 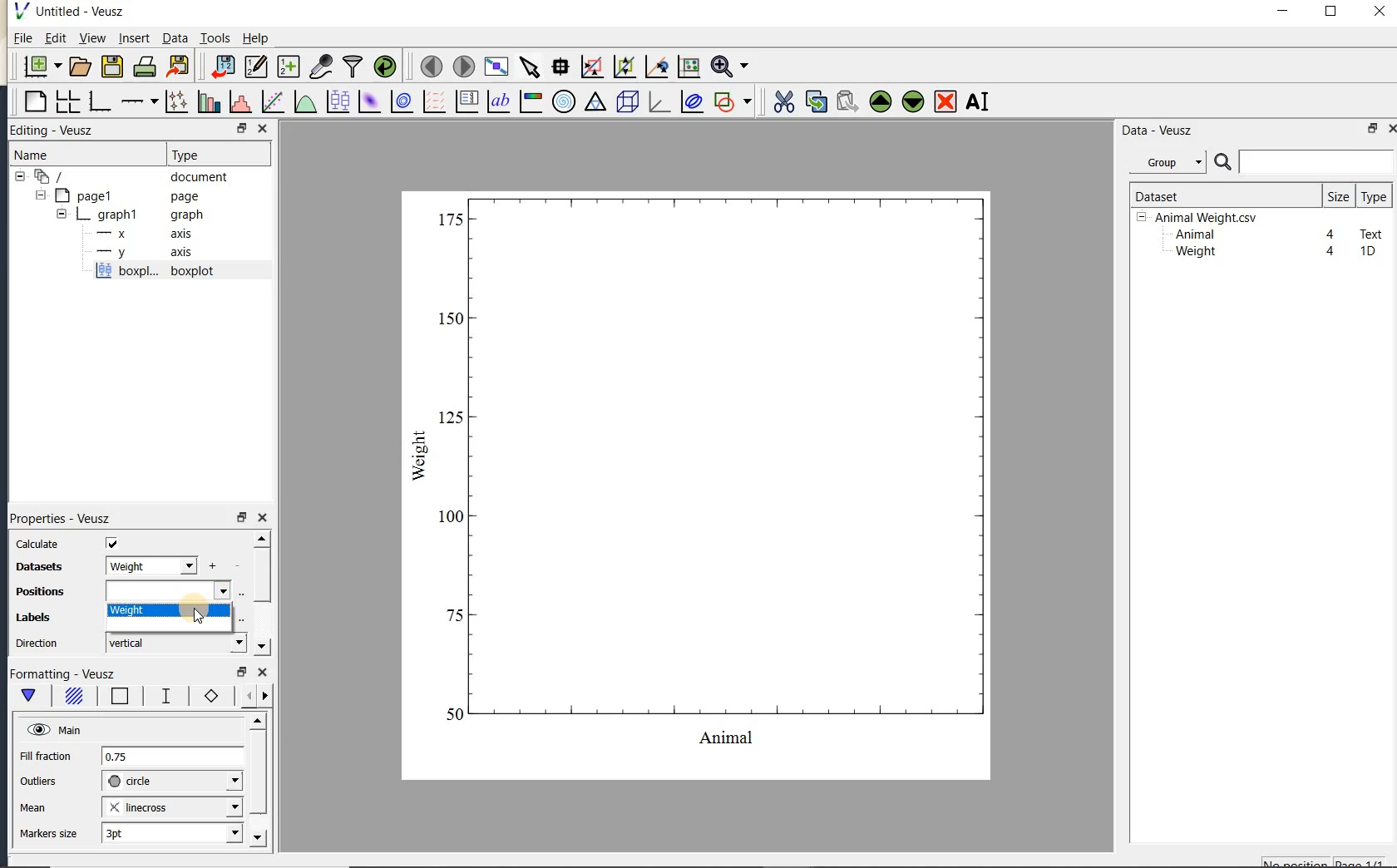 What do you see at coordinates (255, 38) in the screenshot?
I see `Help` at bounding box center [255, 38].